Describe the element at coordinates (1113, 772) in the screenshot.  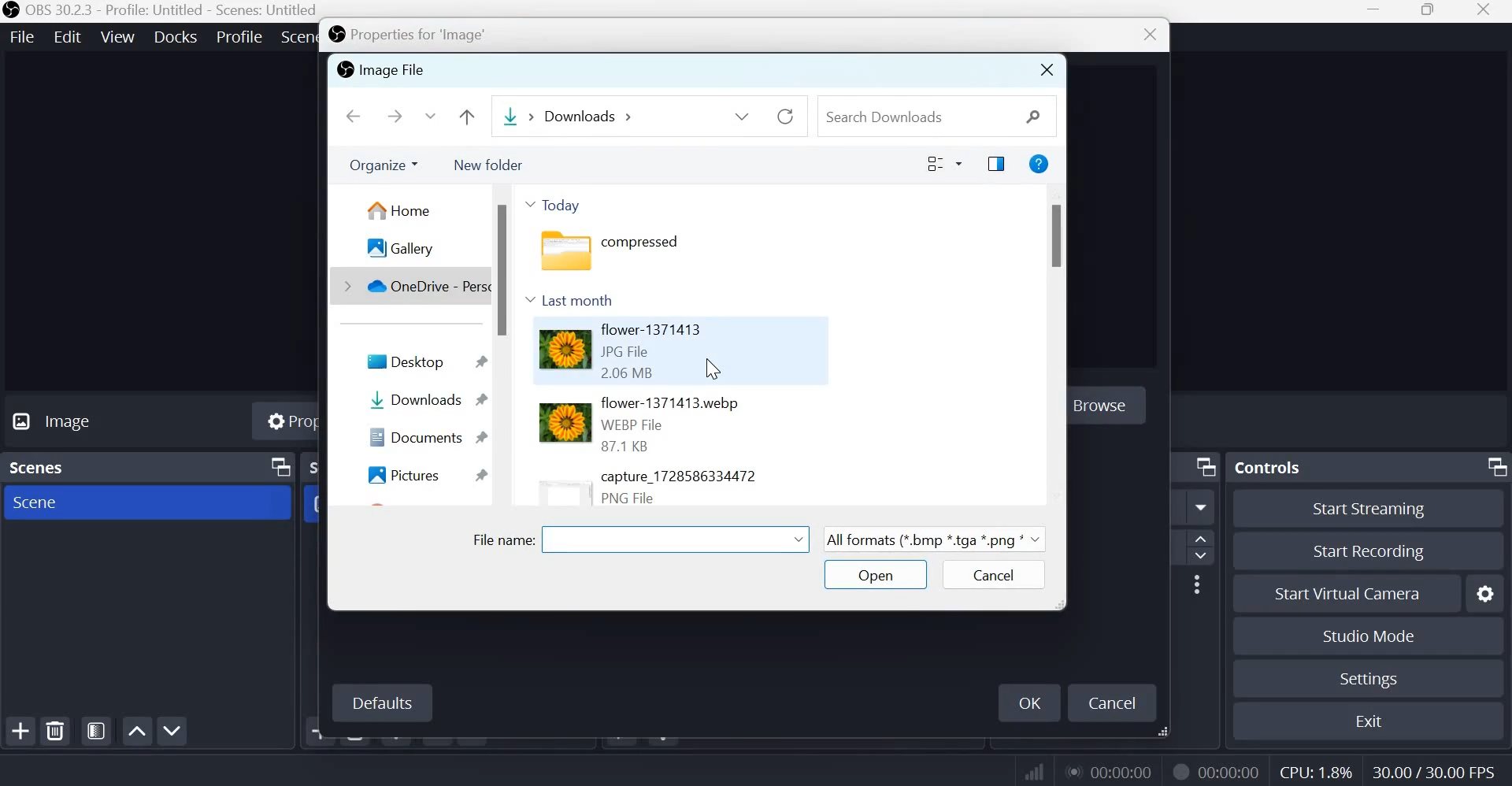
I see `00:00:00` at that location.